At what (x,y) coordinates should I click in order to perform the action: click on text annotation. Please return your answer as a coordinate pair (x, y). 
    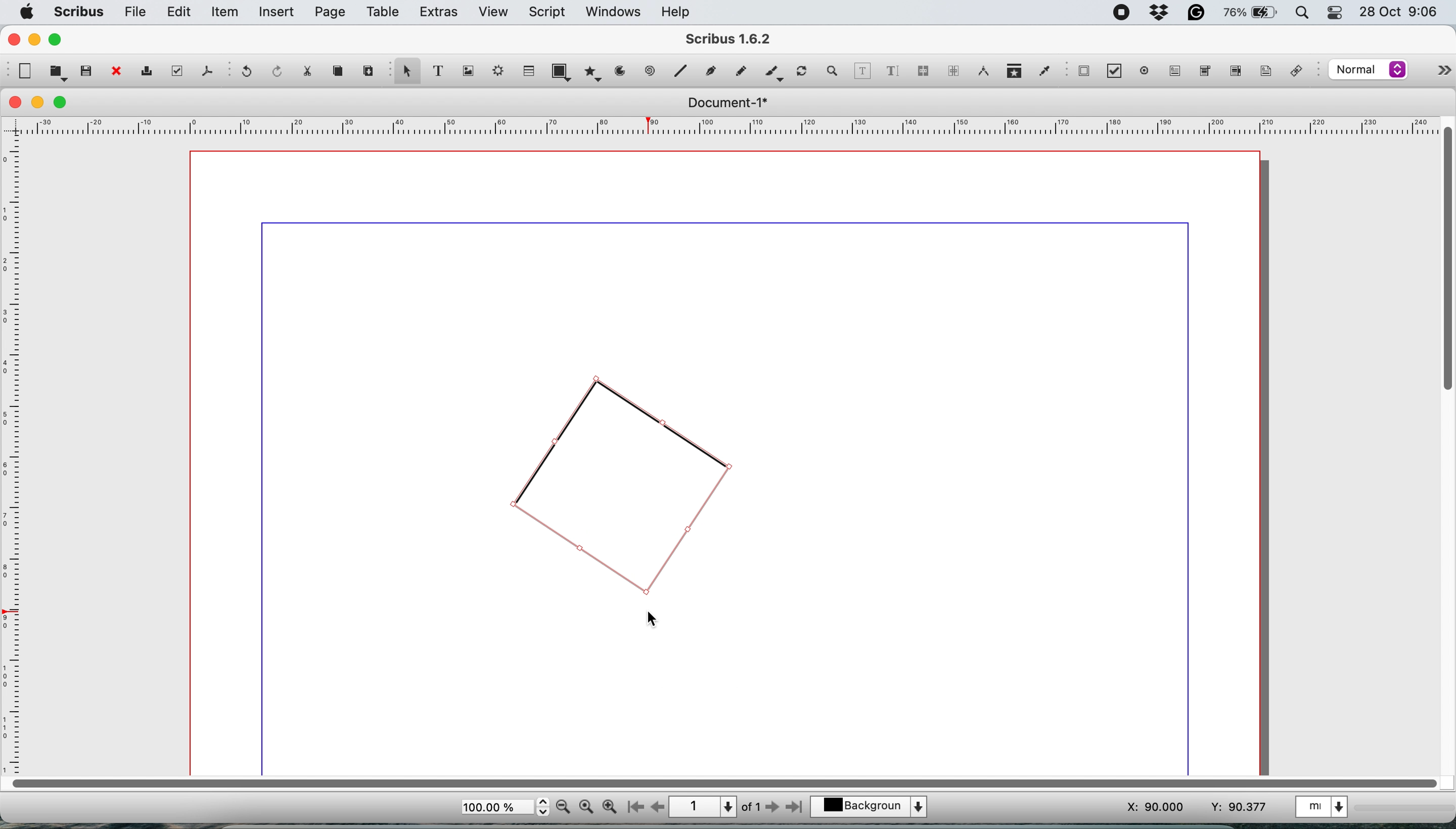
    Looking at the image, I should click on (1265, 72).